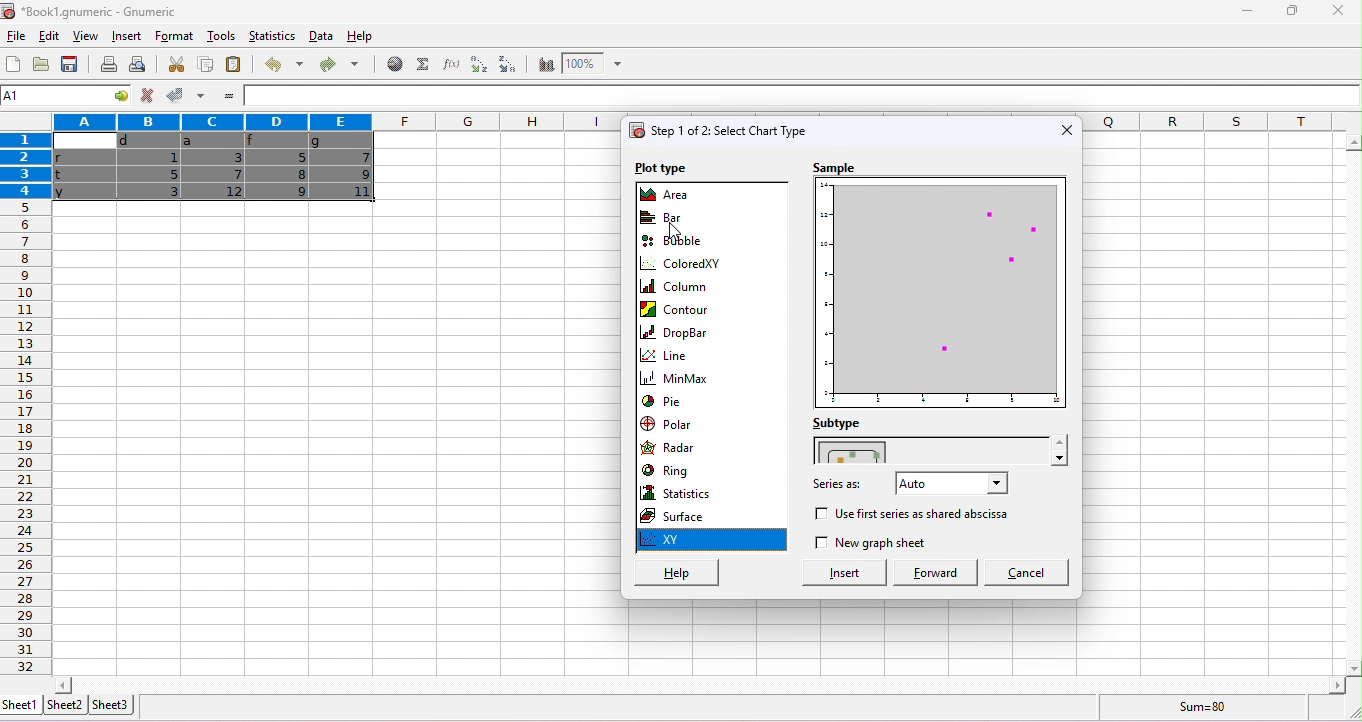 The width and height of the screenshot is (1362, 722). I want to click on view, so click(85, 36).